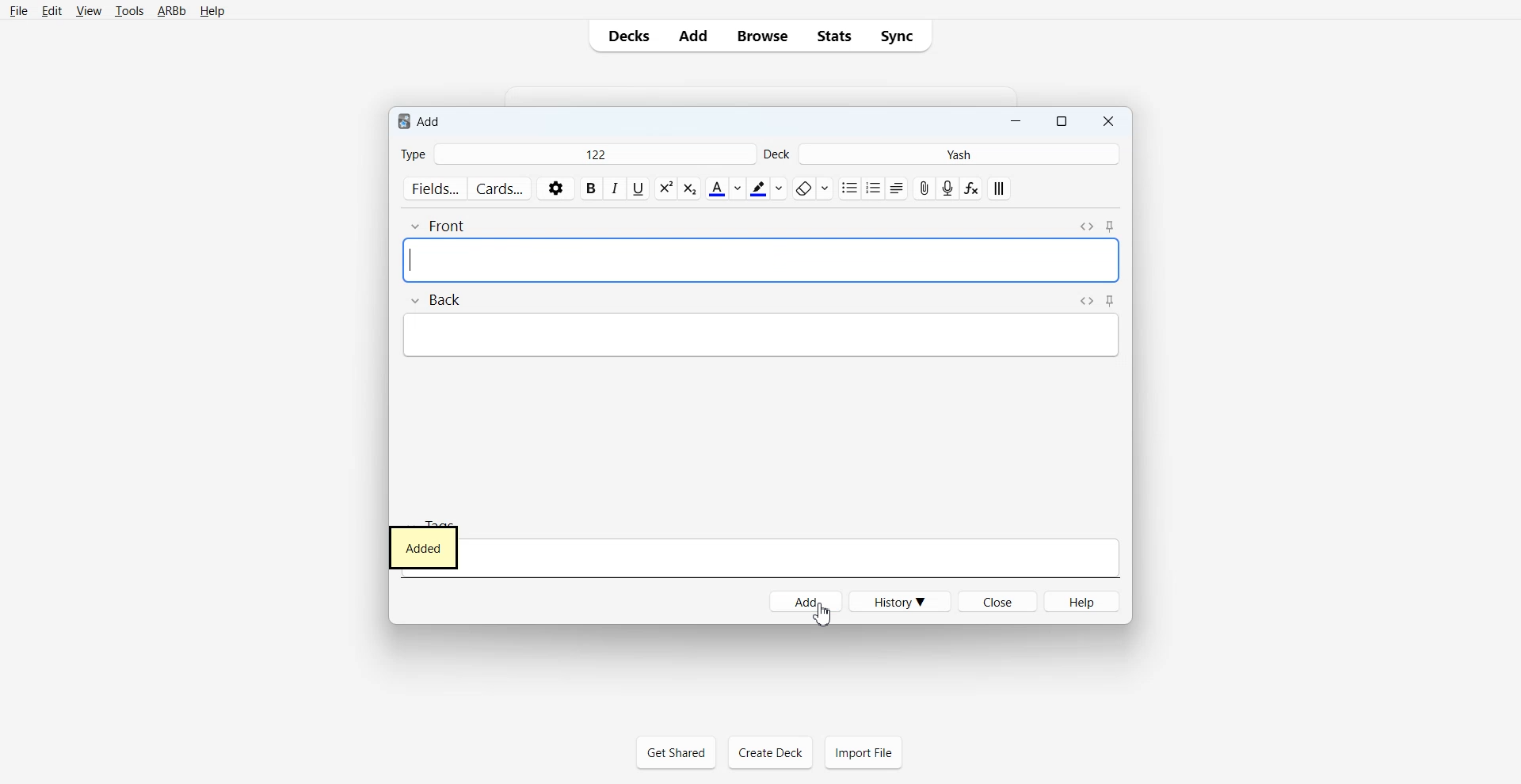  I want to click on Sync, so click(901, 36).